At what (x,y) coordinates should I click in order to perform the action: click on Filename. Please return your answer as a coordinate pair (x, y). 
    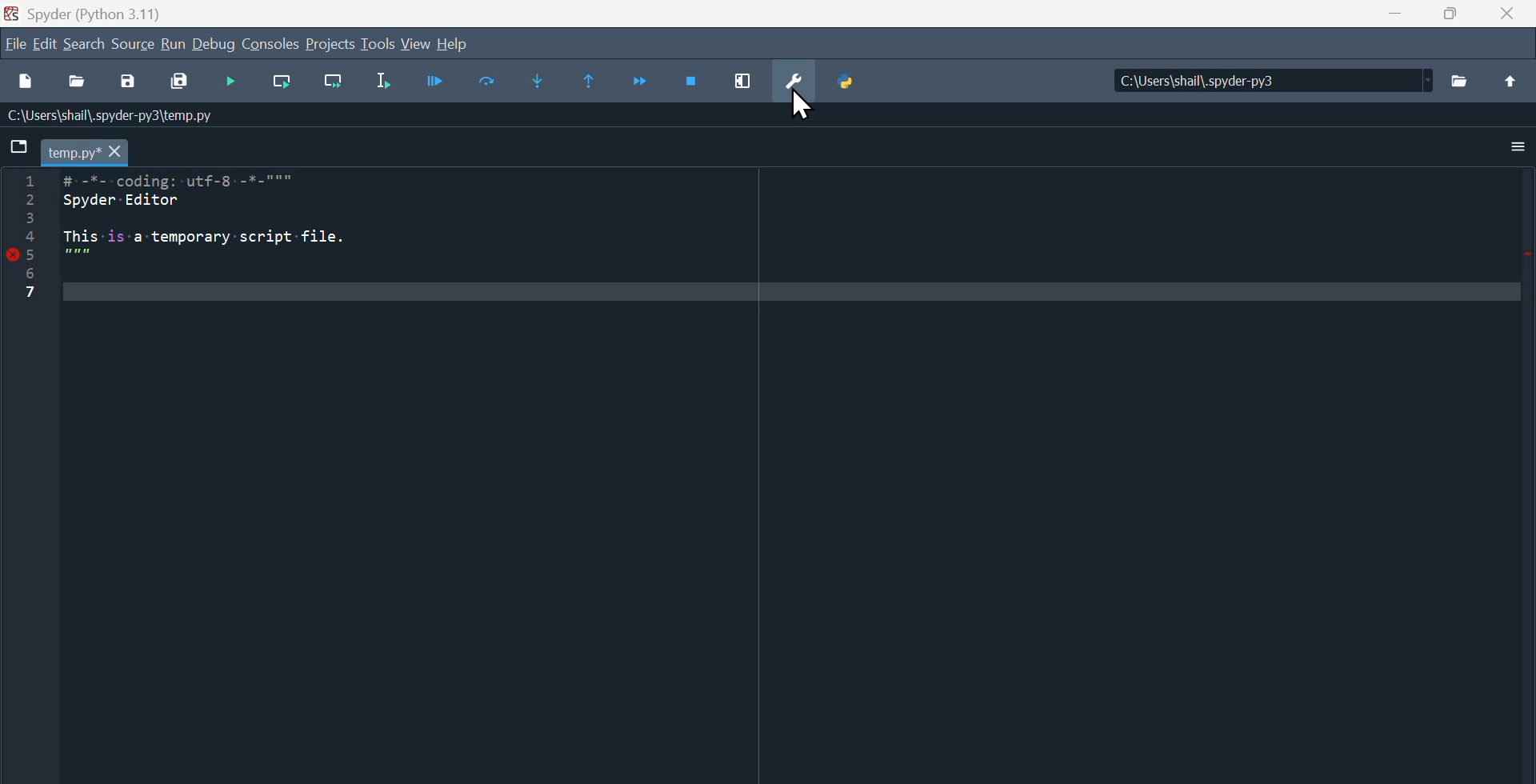
    Looking at the image, I should click on (73, 154).